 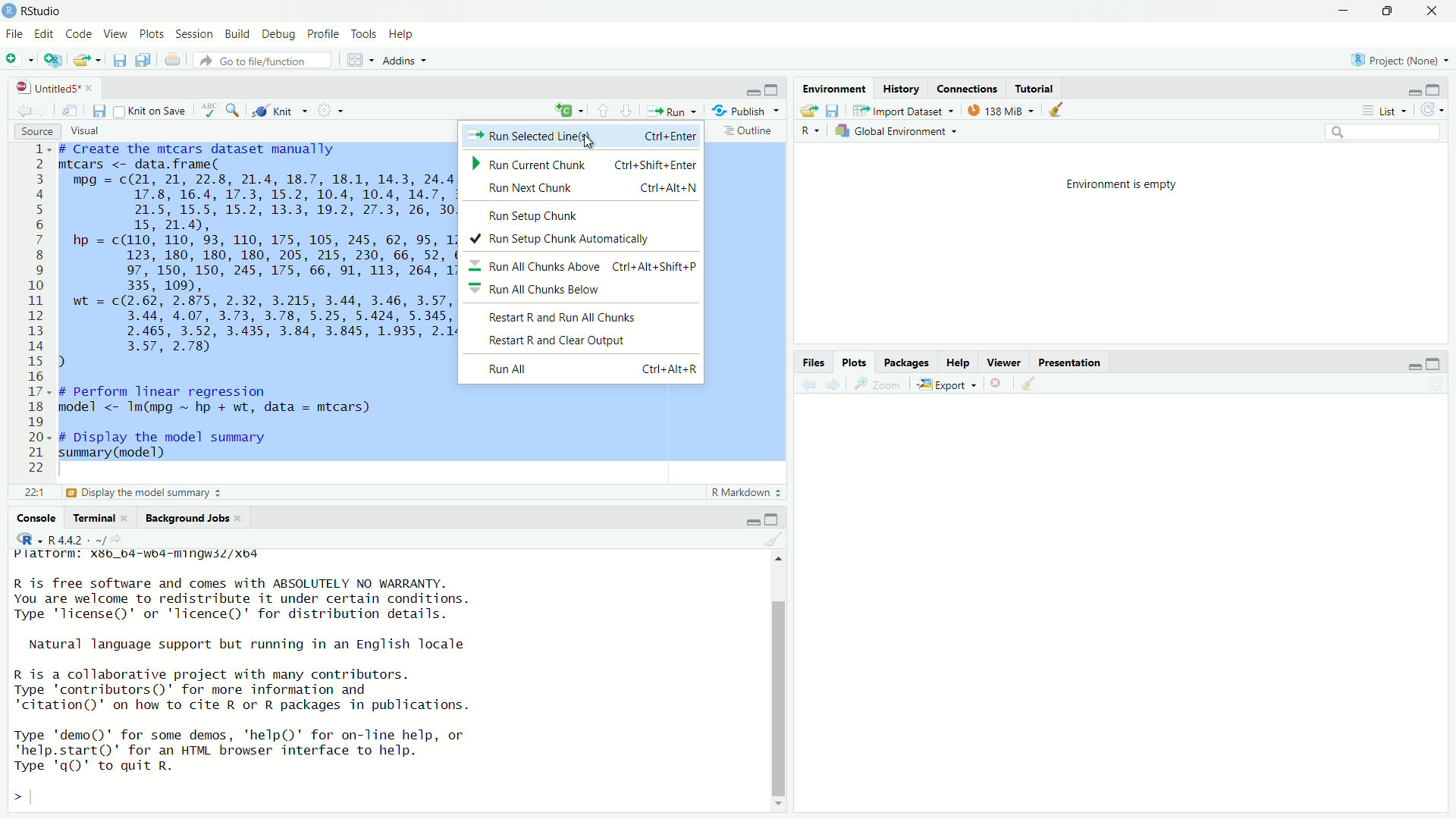 I want to click on outline, so click(x=748, y=132).